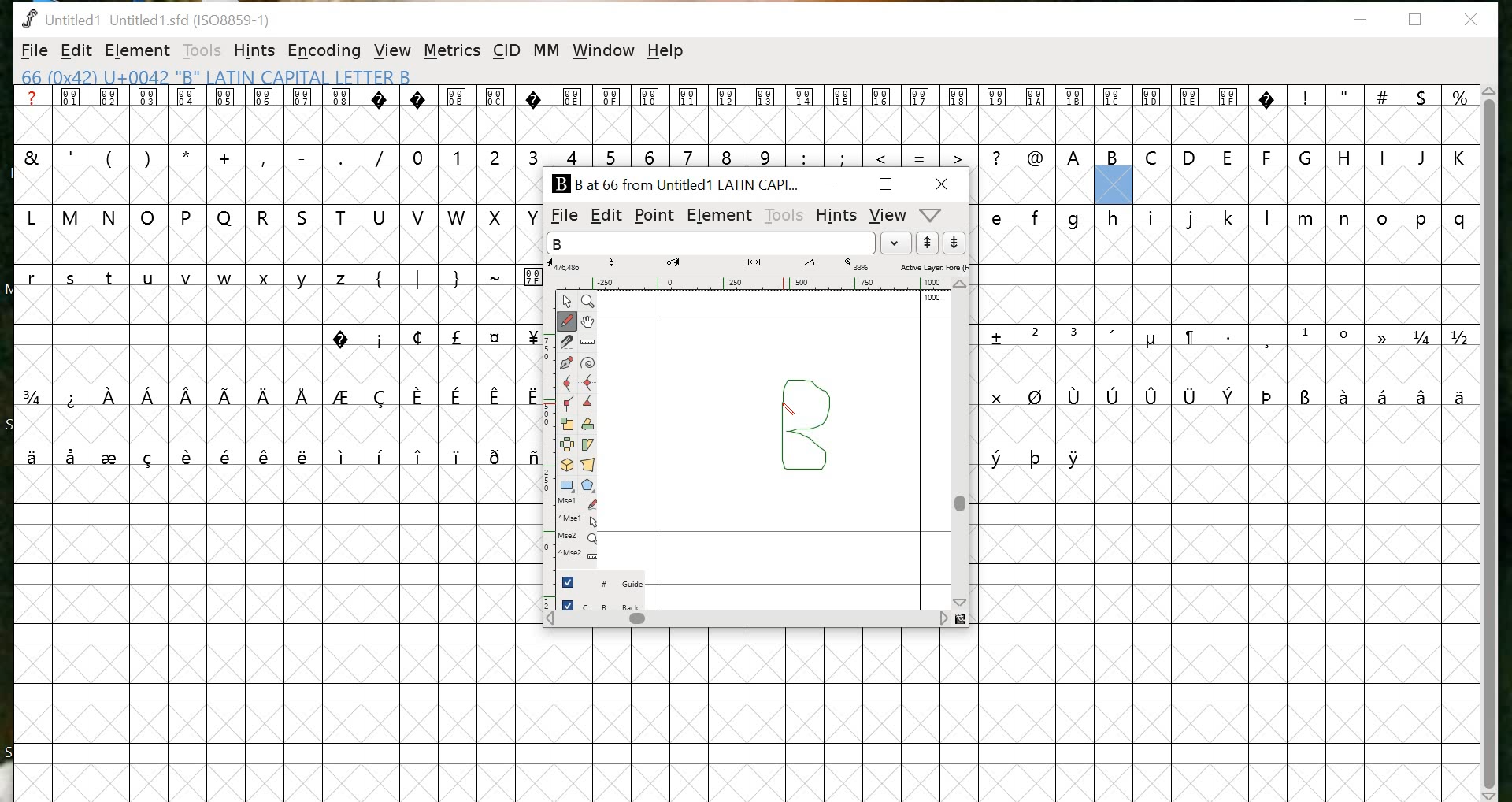 The image size is (1512, 802). I want to click on Point, so click(568, 302).